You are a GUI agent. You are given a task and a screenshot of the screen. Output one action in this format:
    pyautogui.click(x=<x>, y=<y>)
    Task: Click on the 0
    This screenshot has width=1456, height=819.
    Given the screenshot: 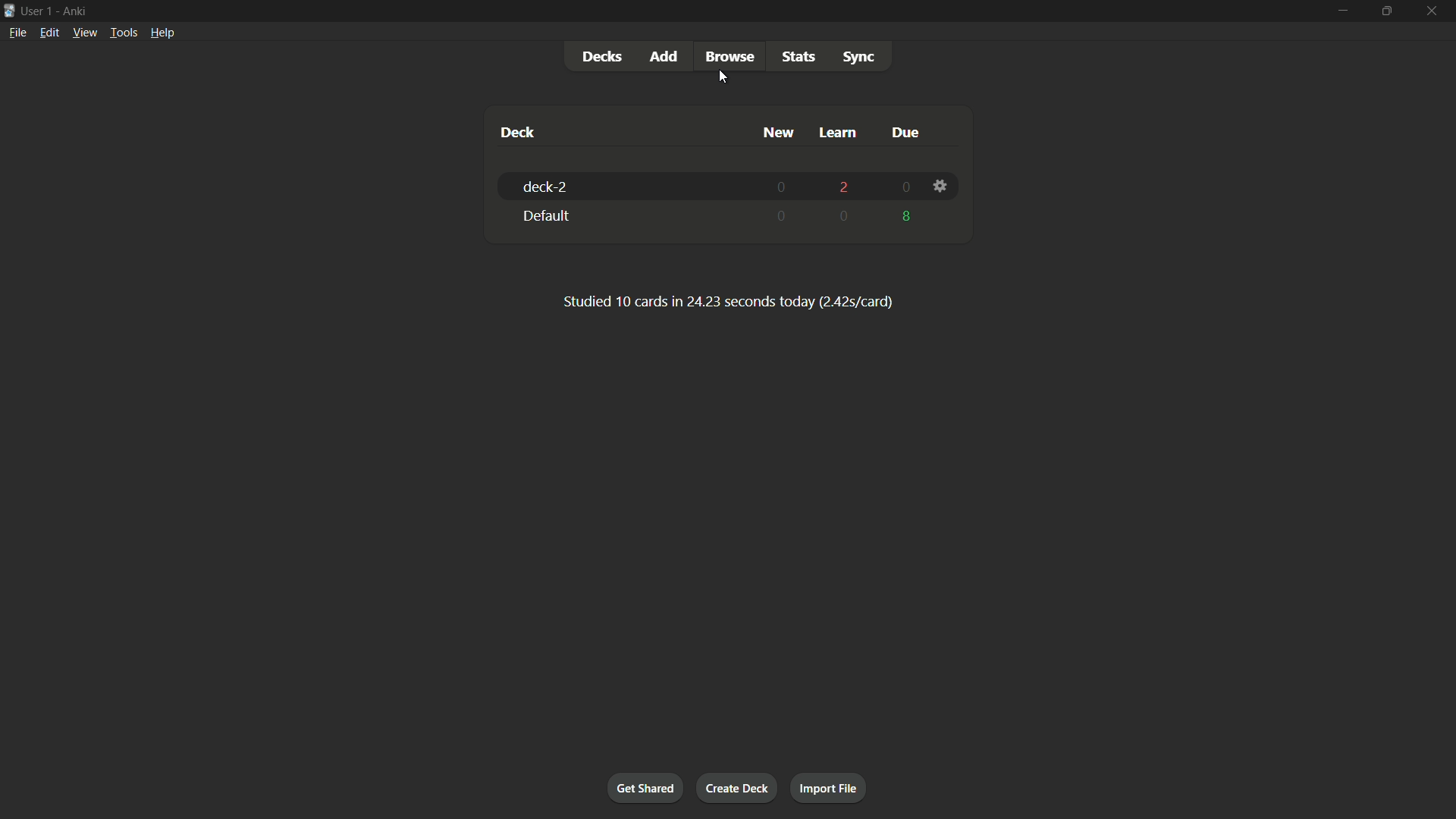 What is the action you would take?
    pyautogui.click(x=906, y=188)
    